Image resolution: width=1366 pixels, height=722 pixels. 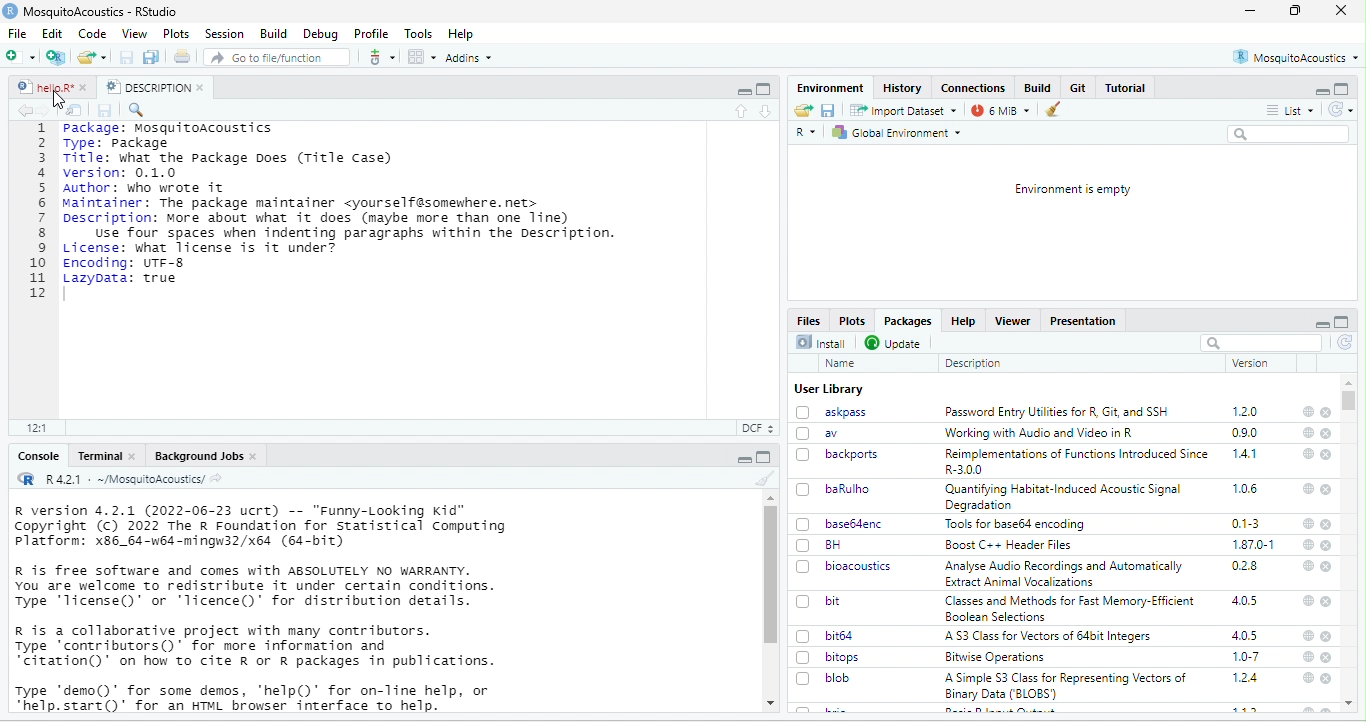 What do you see at coordinates (1307, 489) in the screenshot?
I see `help` at bounding box center [1307, 489].